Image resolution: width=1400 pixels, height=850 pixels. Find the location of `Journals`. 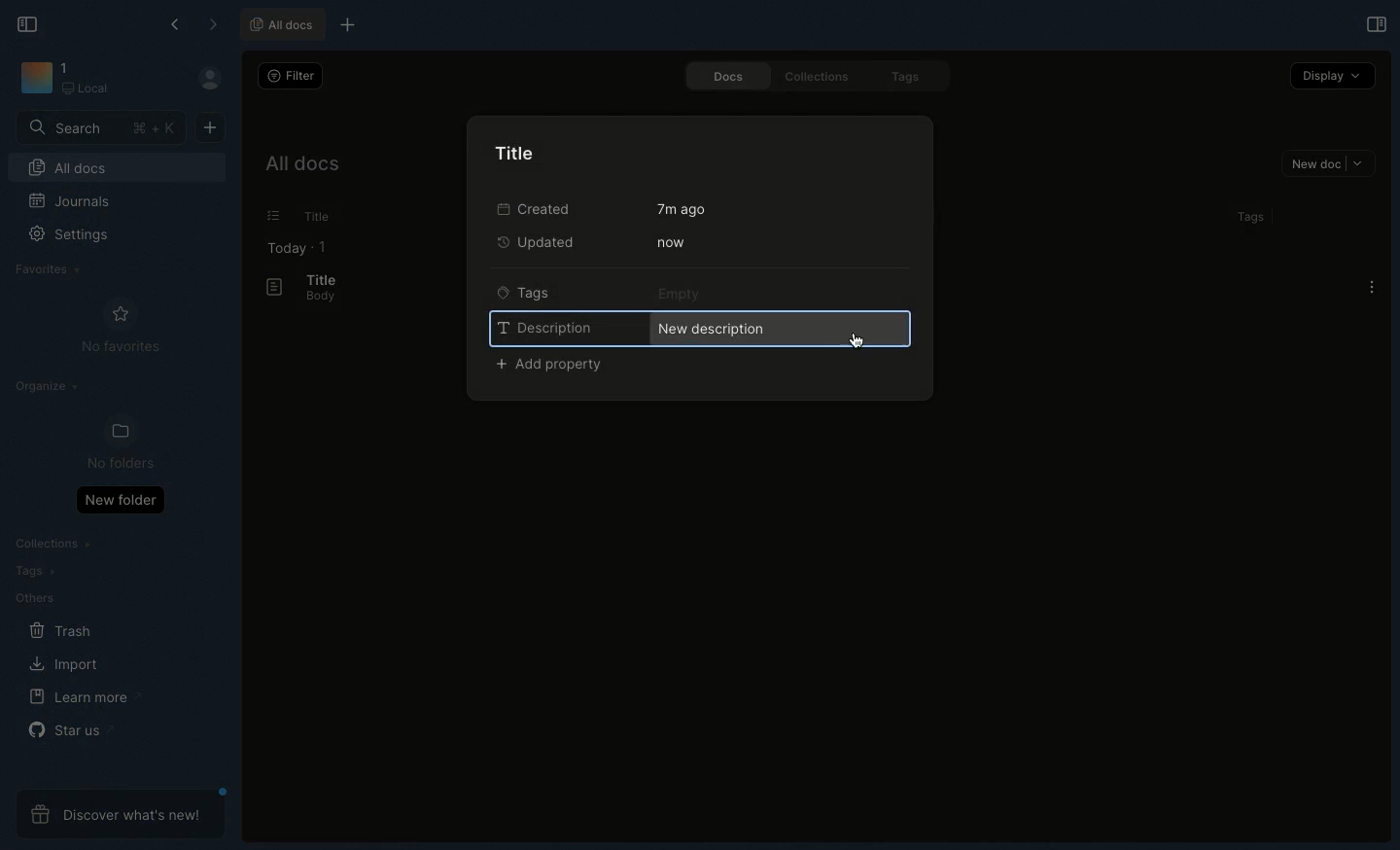

Journals is located at coordinates (71, 203).